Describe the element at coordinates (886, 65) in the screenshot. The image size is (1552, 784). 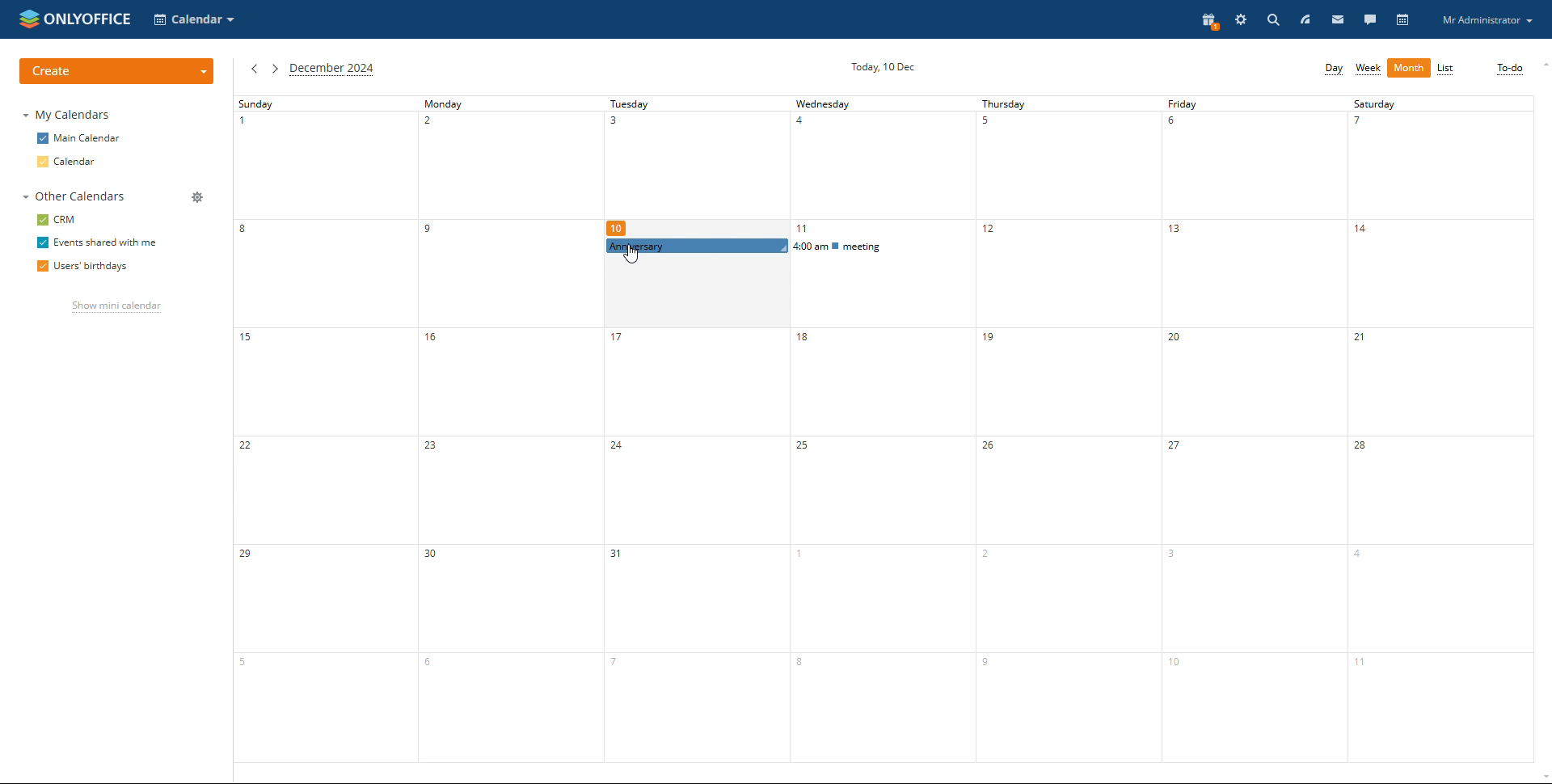
I see `current date` at that location.